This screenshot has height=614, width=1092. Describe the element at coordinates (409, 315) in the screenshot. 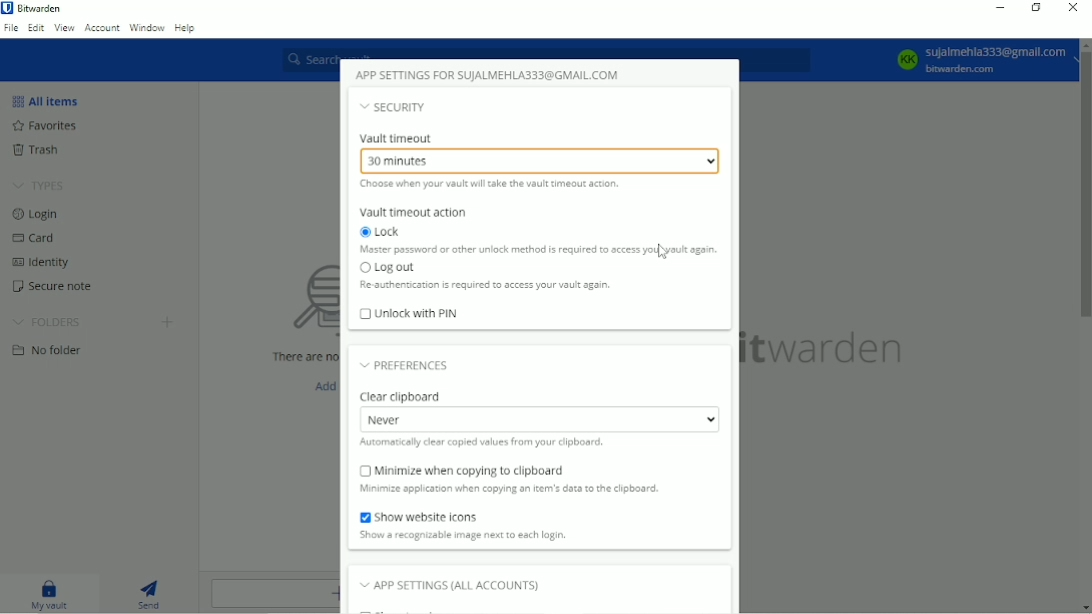

I see `Unlock with PIN` at that location.